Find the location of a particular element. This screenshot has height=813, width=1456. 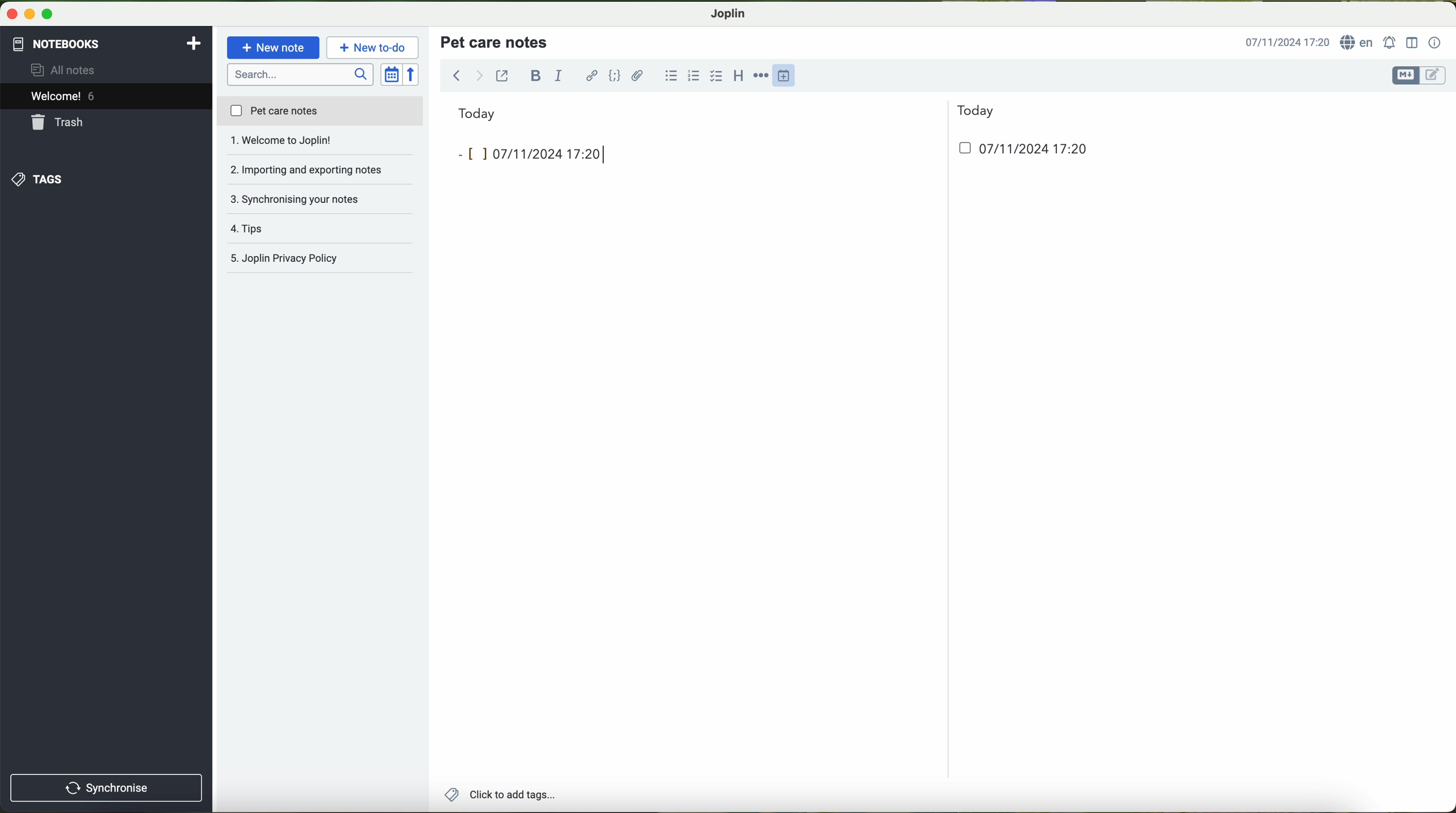

today is located at coordinates (726, 112).